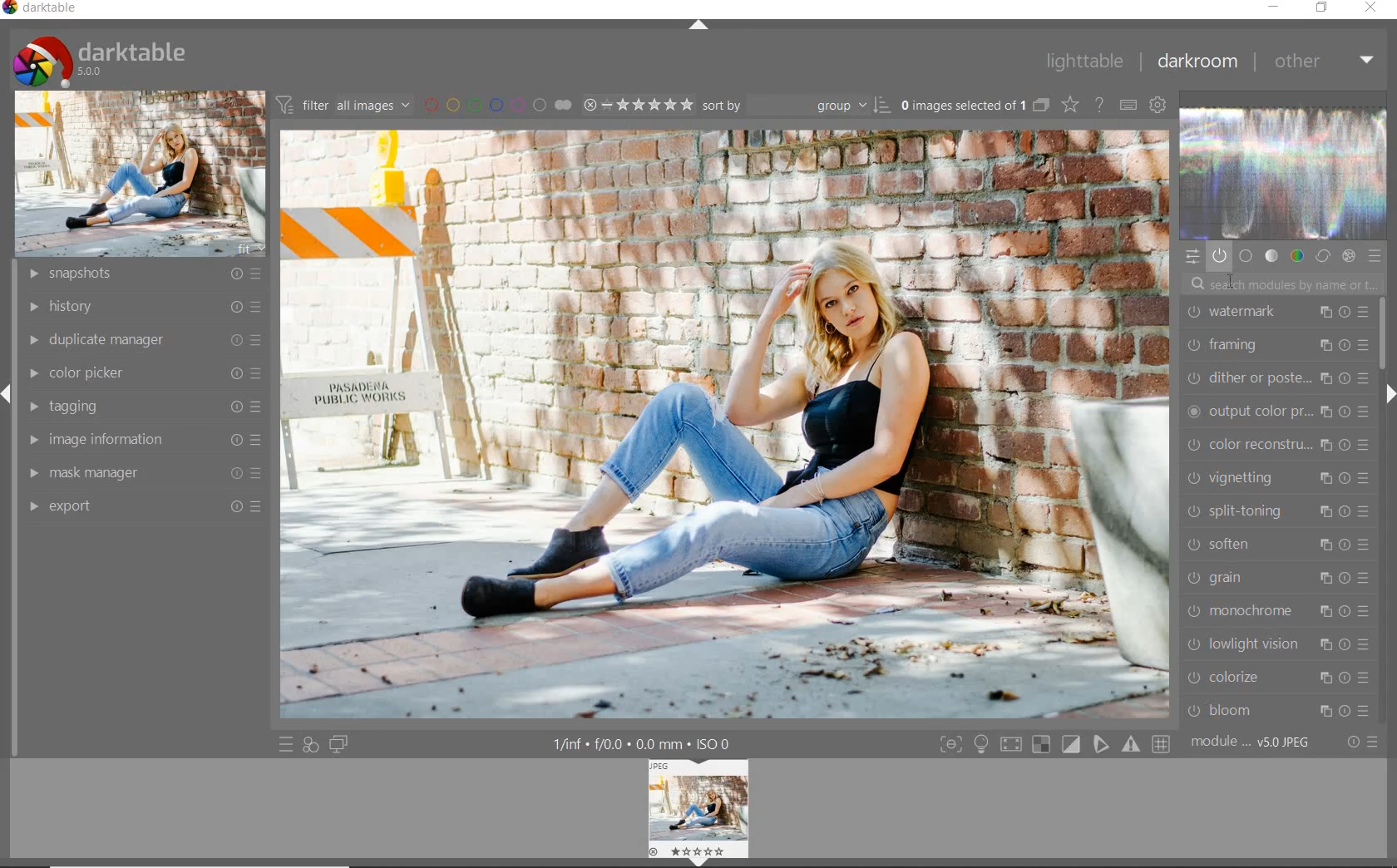 The height and width of the screenshot is (868, 1397). What do you see at coordinates (1275, 645) in the screenshot?
I see `lowlight vision` at bounding box center [1275, 645].